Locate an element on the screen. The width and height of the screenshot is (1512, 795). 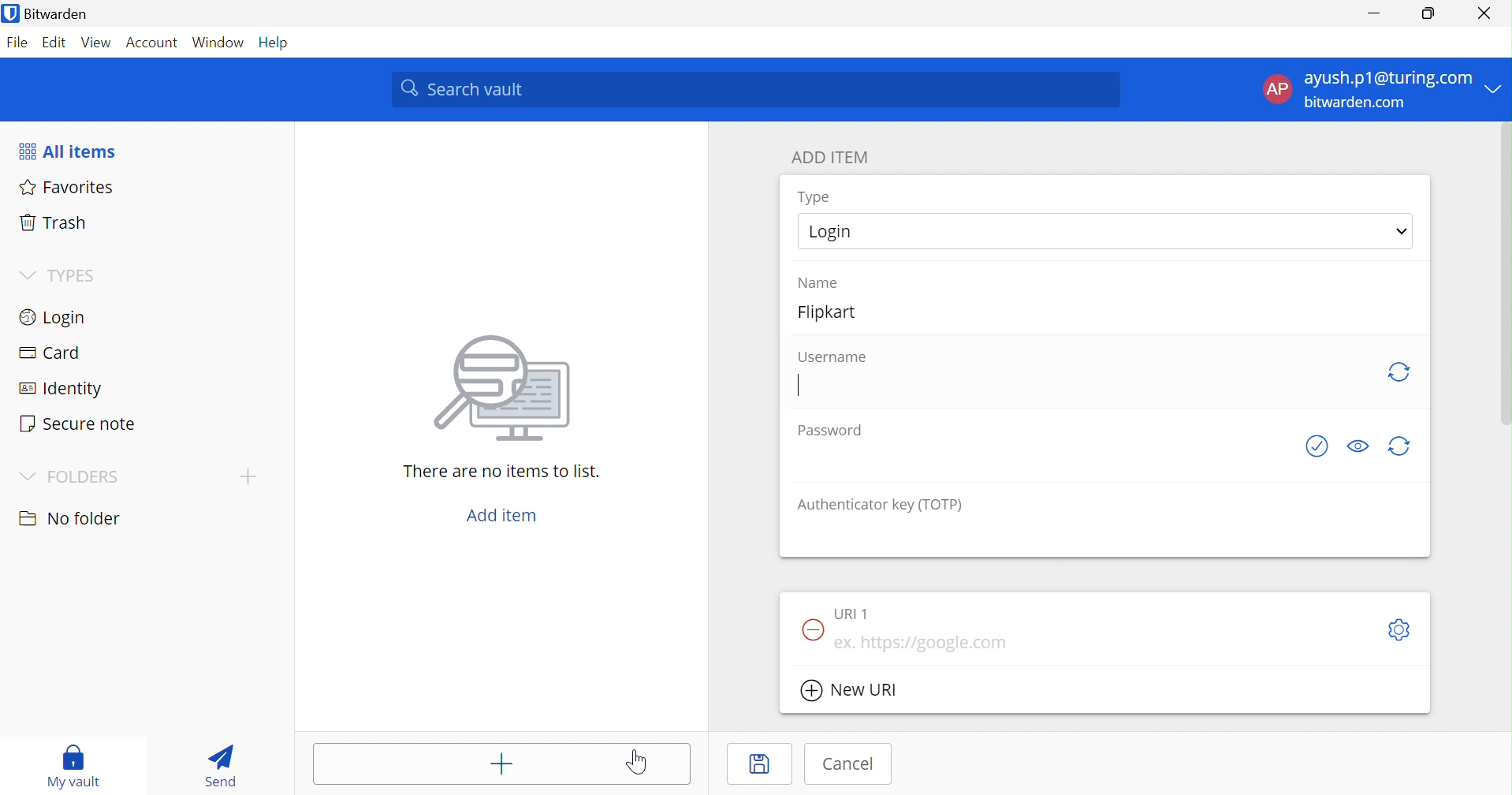
Password is located at coordinates (830, 431).